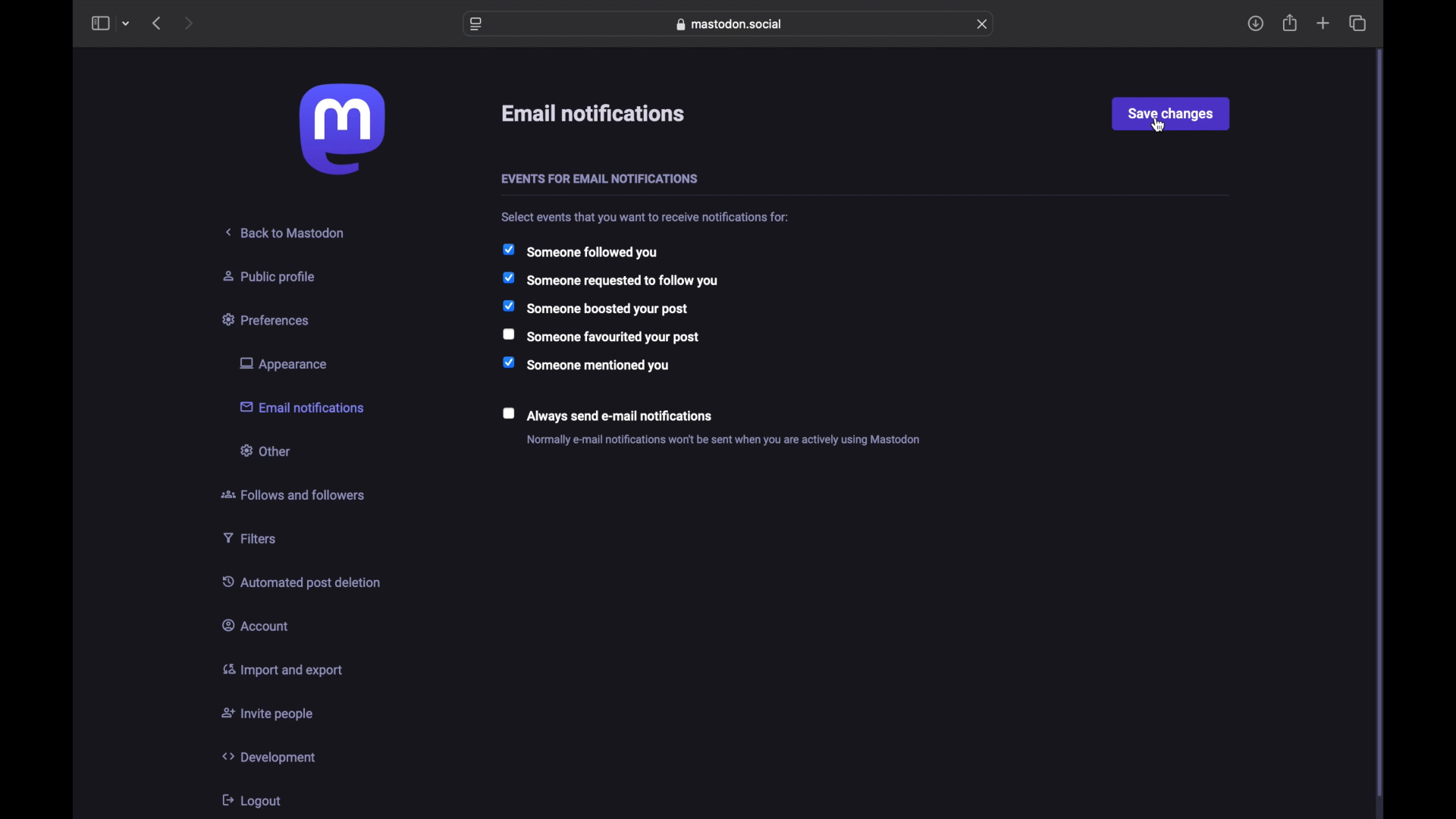 The image size is (1456, 819). What do you see at coordinates (268, 318) in the screenshot?
I see `preferences` at bounding box center [268, 318].